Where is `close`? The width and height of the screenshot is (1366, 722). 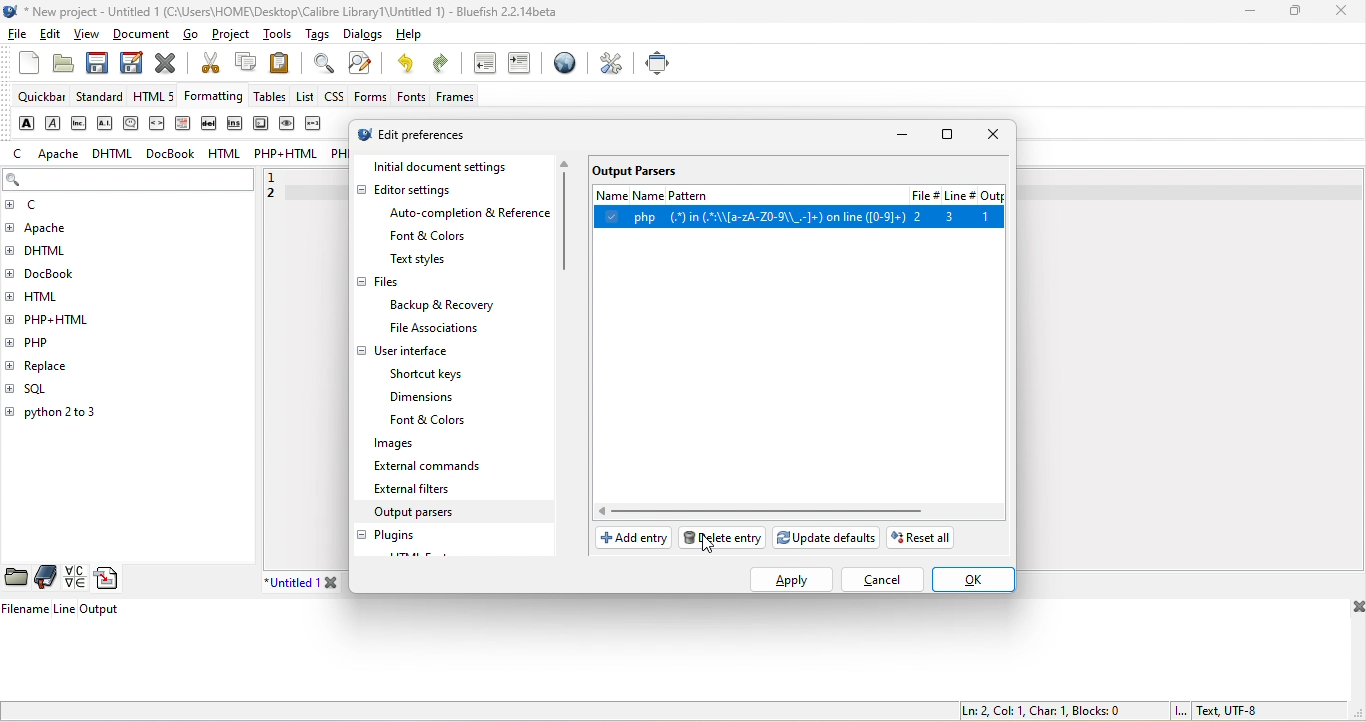
close is located at coordinates (1341, 12).